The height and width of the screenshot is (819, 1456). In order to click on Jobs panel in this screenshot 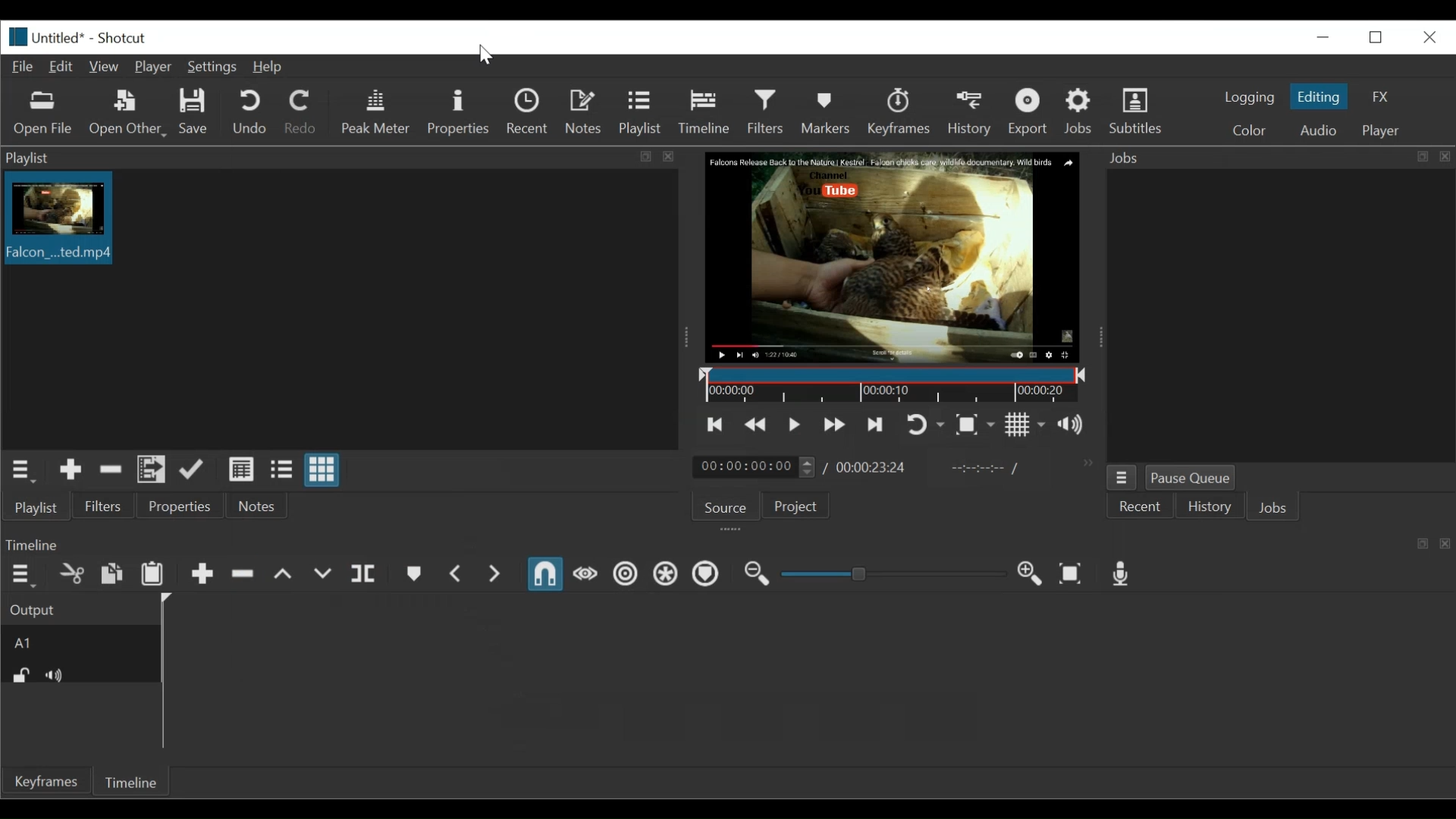, I will do `click(1278, 160)`.